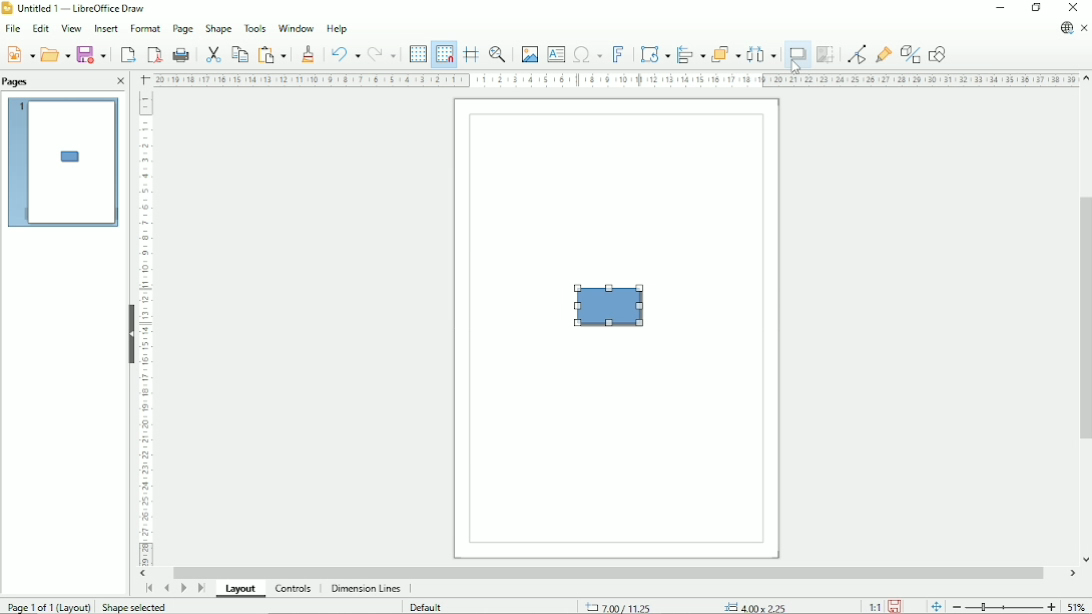 This screenshot has width=1092, height=614. Describe the element at coordinates (367, 589) in the screenshot. I see `Dimension lines` at that location.